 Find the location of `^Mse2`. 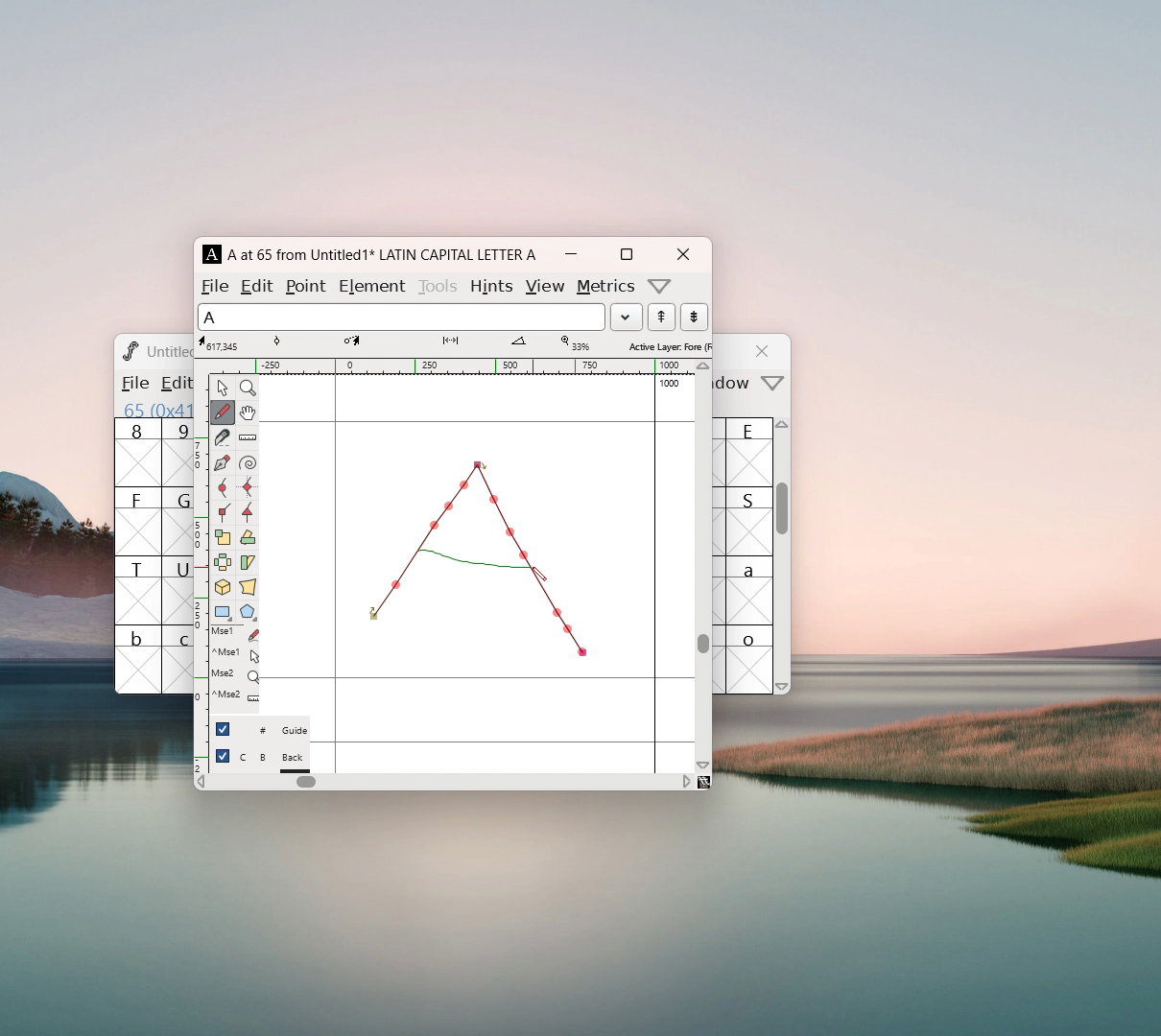

^Mse2 is located at coordinates (235, 695).